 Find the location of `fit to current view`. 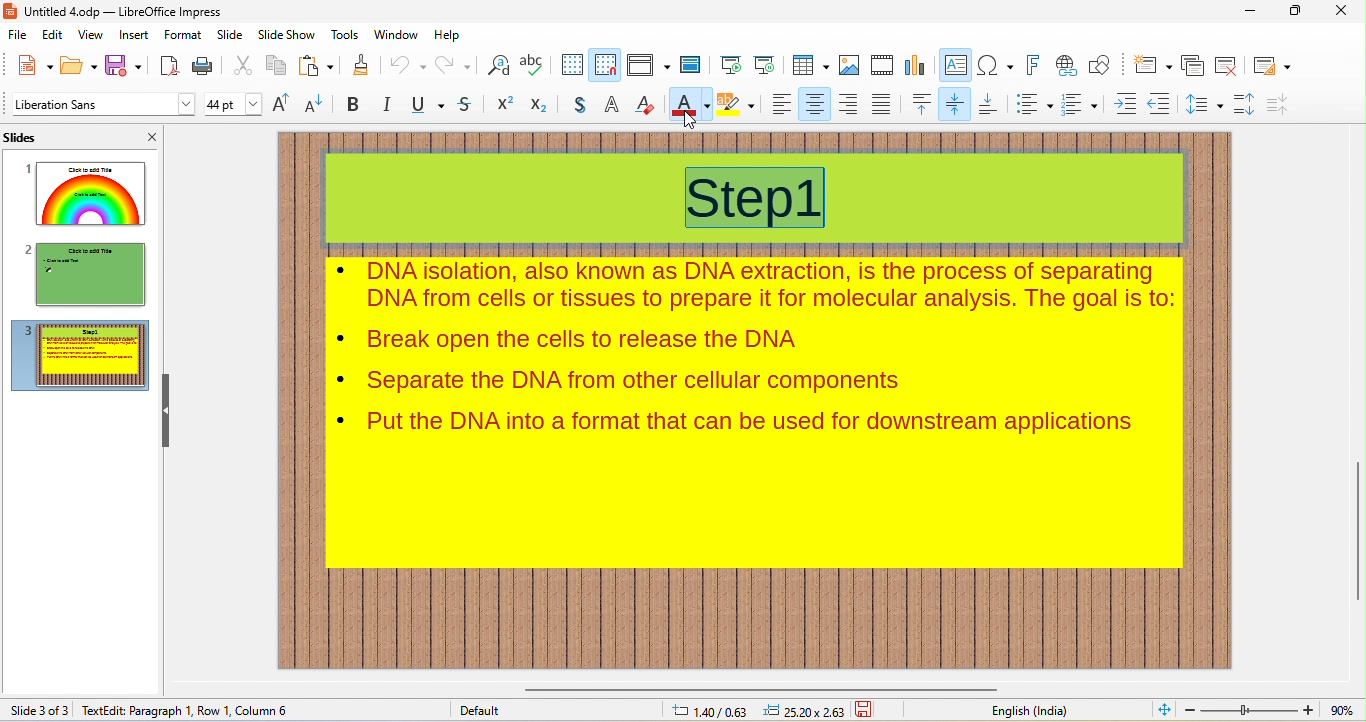

fit to current view is located at coordinates (1165, 708).